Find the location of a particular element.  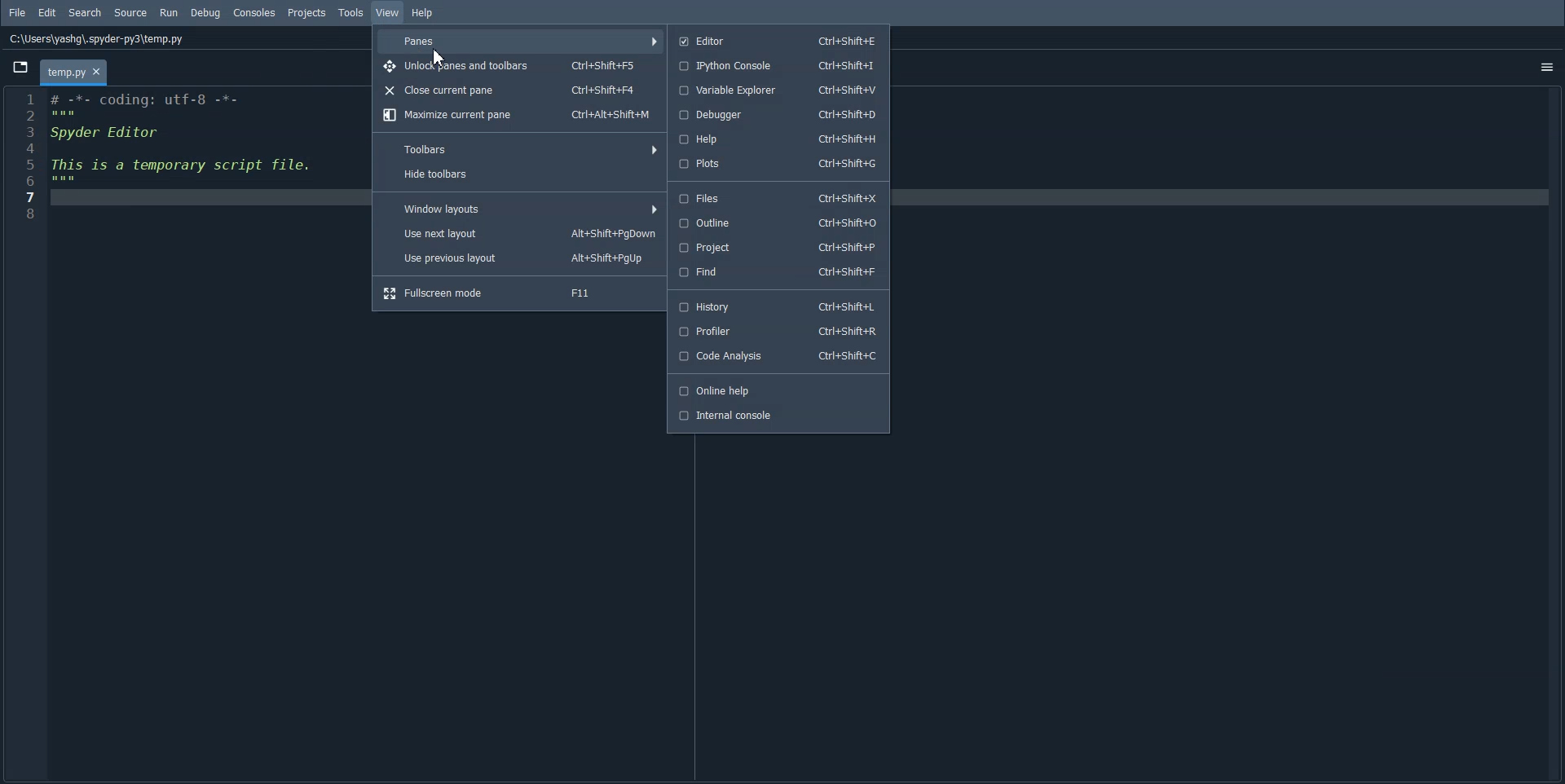

Outline is located at coordinates (778, 222).